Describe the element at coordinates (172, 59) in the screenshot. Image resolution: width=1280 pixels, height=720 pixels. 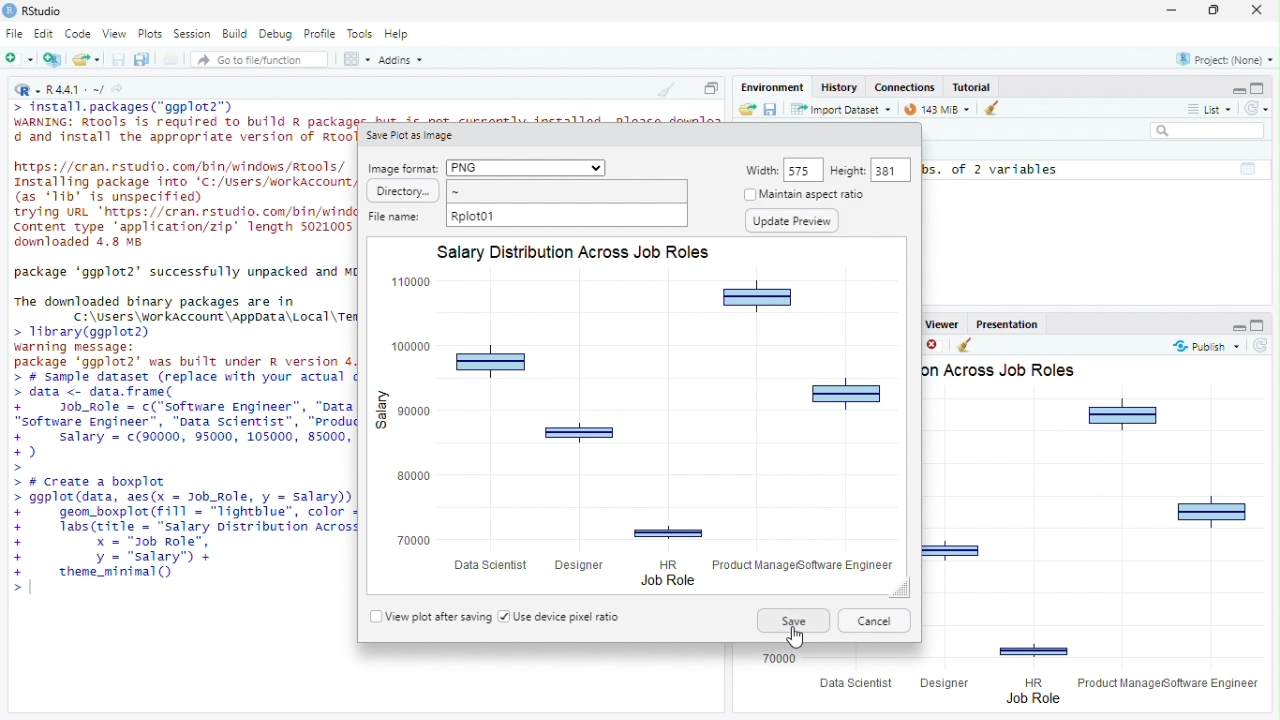
I see `print the current file` at that location.